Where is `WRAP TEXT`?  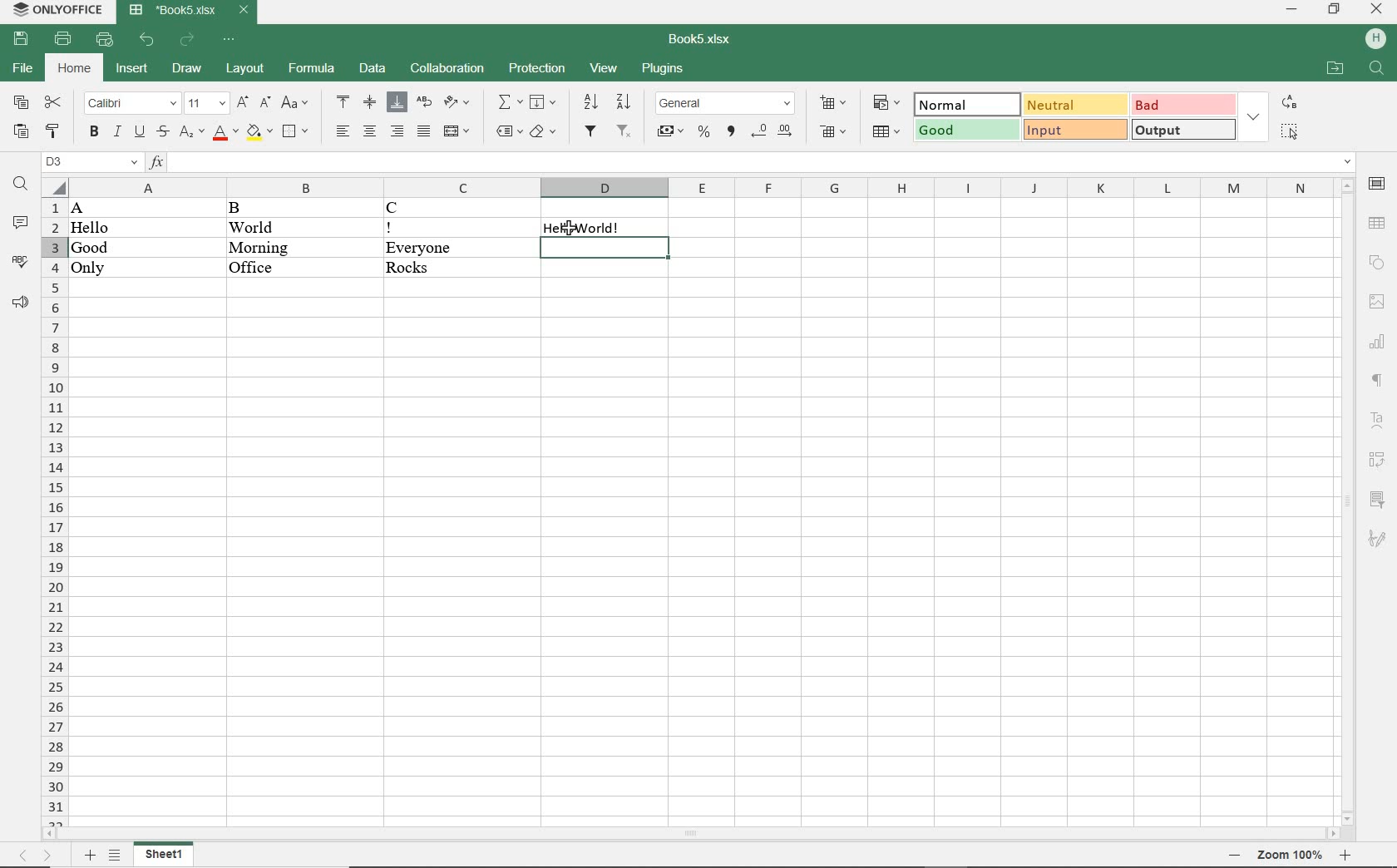
WRAP TEXT is located at coordinates (422, 102).